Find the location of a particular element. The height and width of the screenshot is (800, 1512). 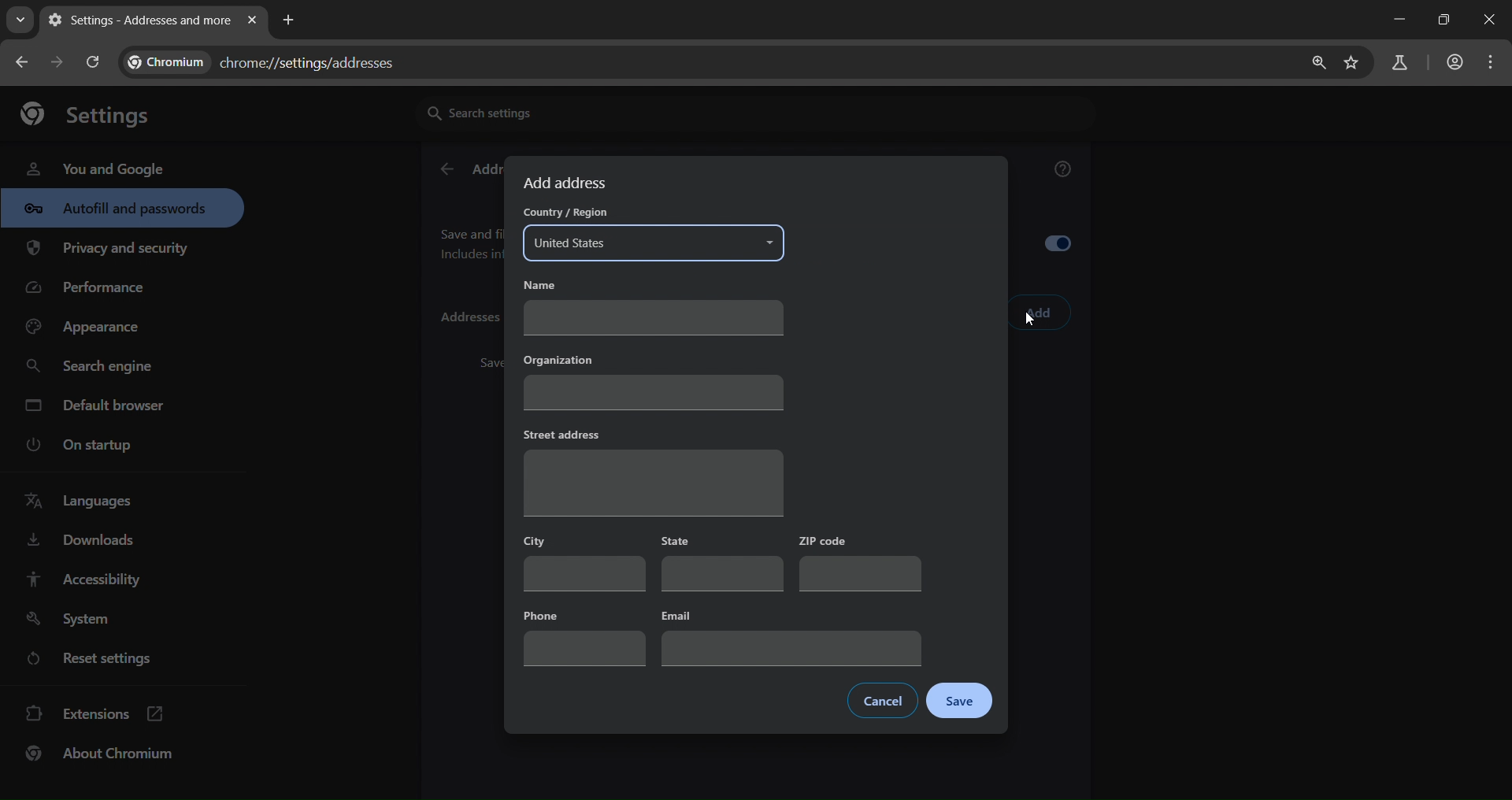

organization is located at coordinates (654, 380).